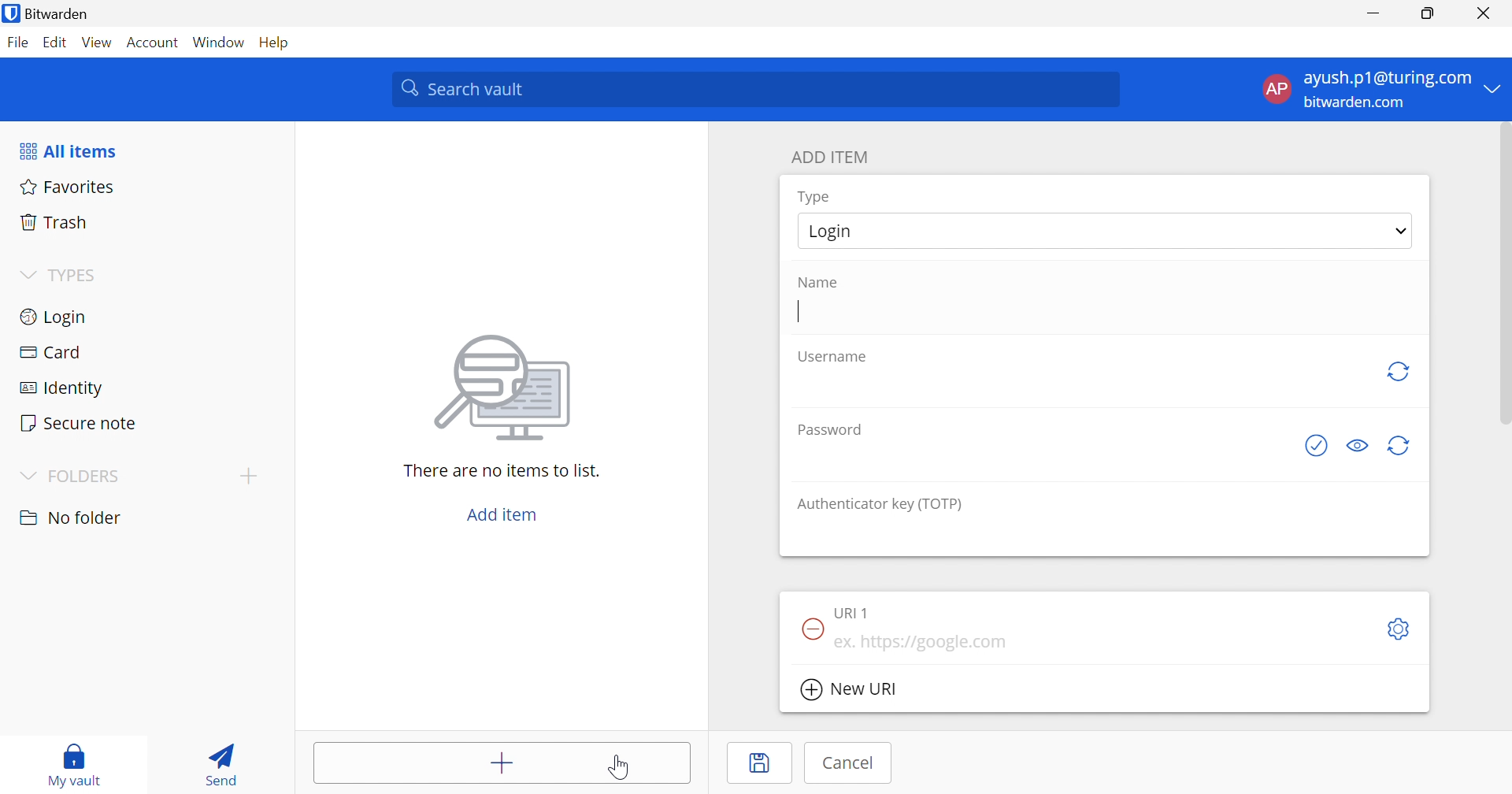 The height and width of the screenshot is (794, 1512). I want to click on Authenticator key (TOTP), so click(880, 504).